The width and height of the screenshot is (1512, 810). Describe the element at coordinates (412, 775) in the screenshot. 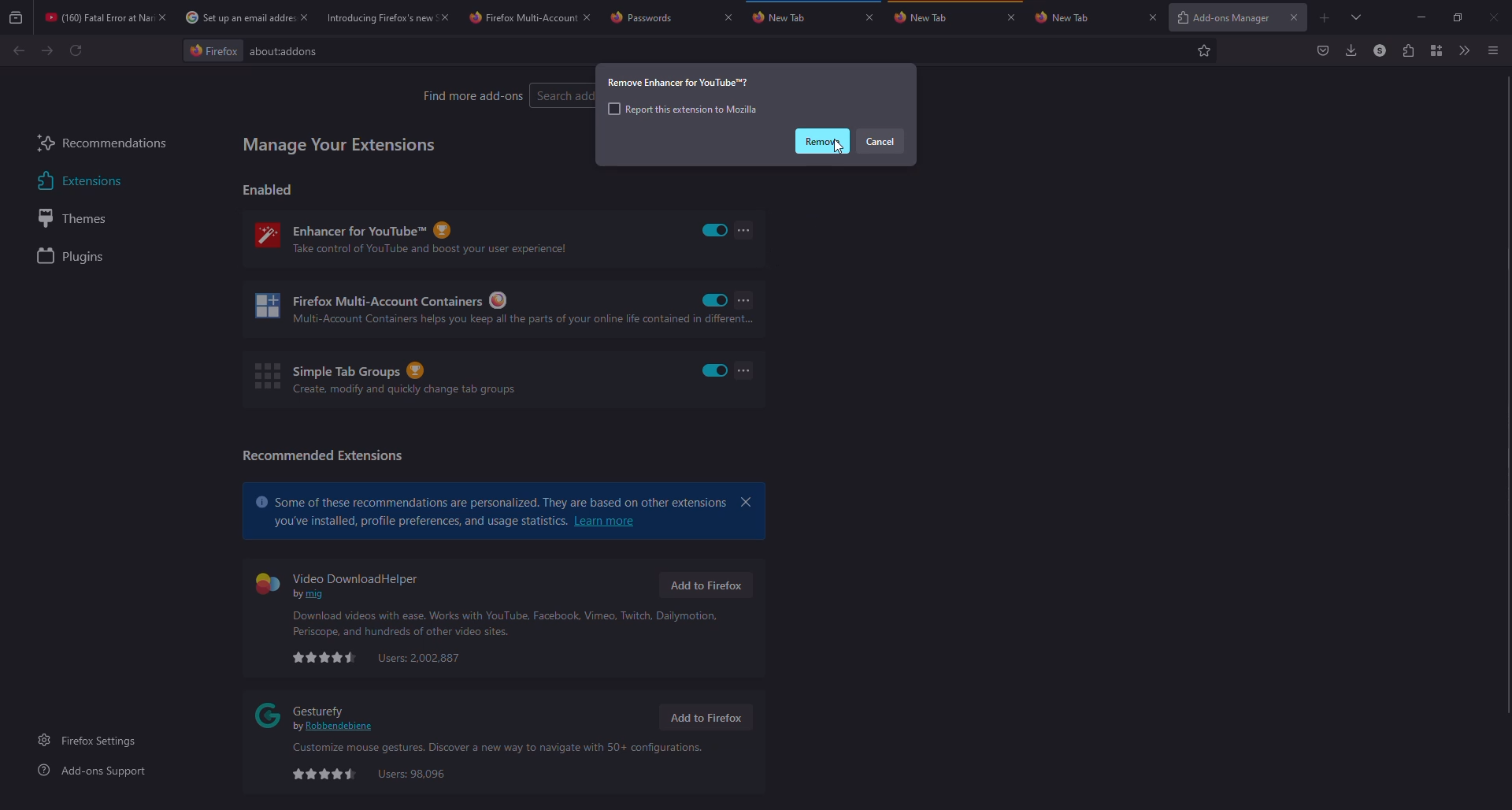

I see `Users` at that location.